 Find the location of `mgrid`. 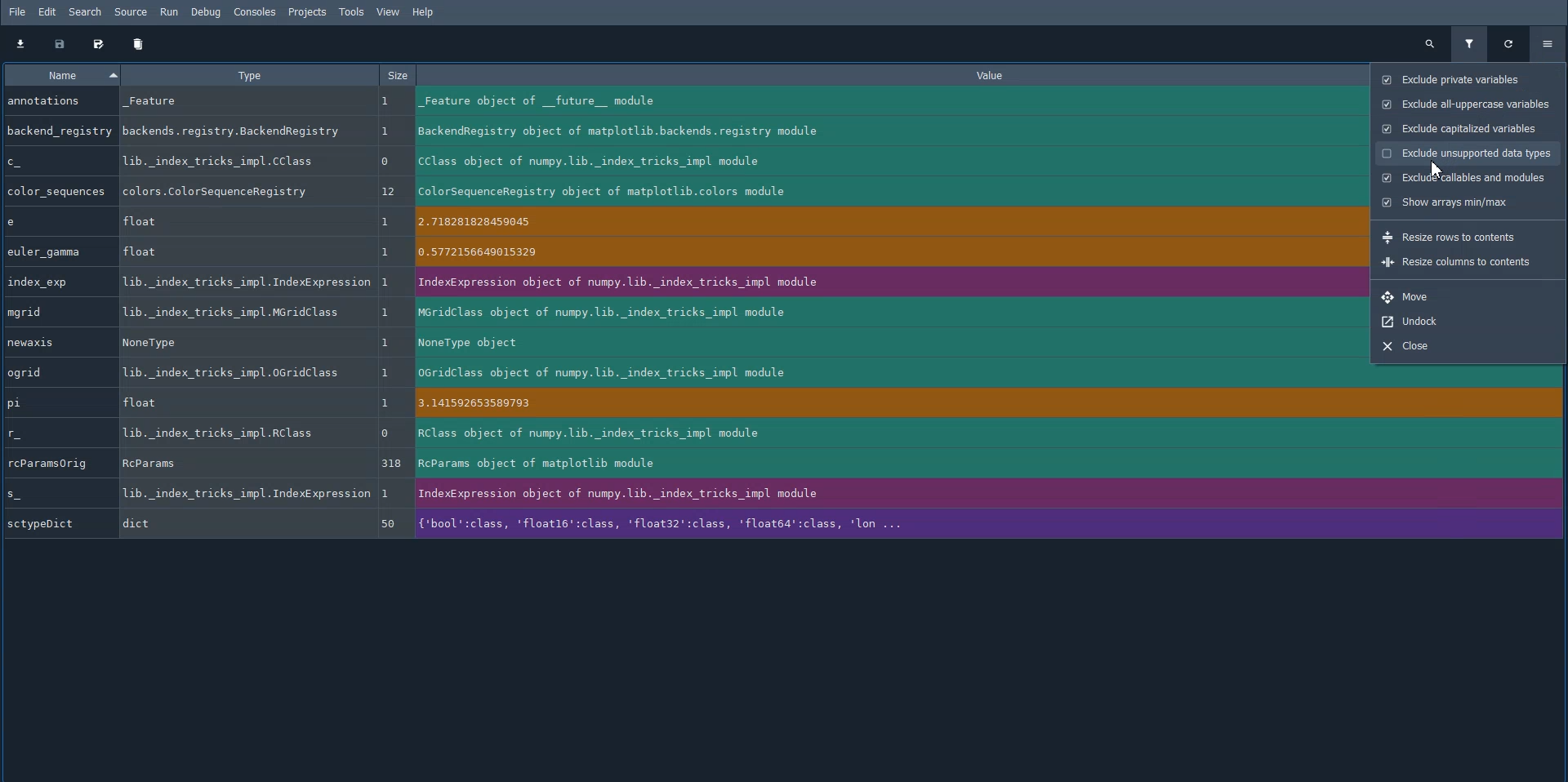

mgrid is located at coordinates (55, 312).